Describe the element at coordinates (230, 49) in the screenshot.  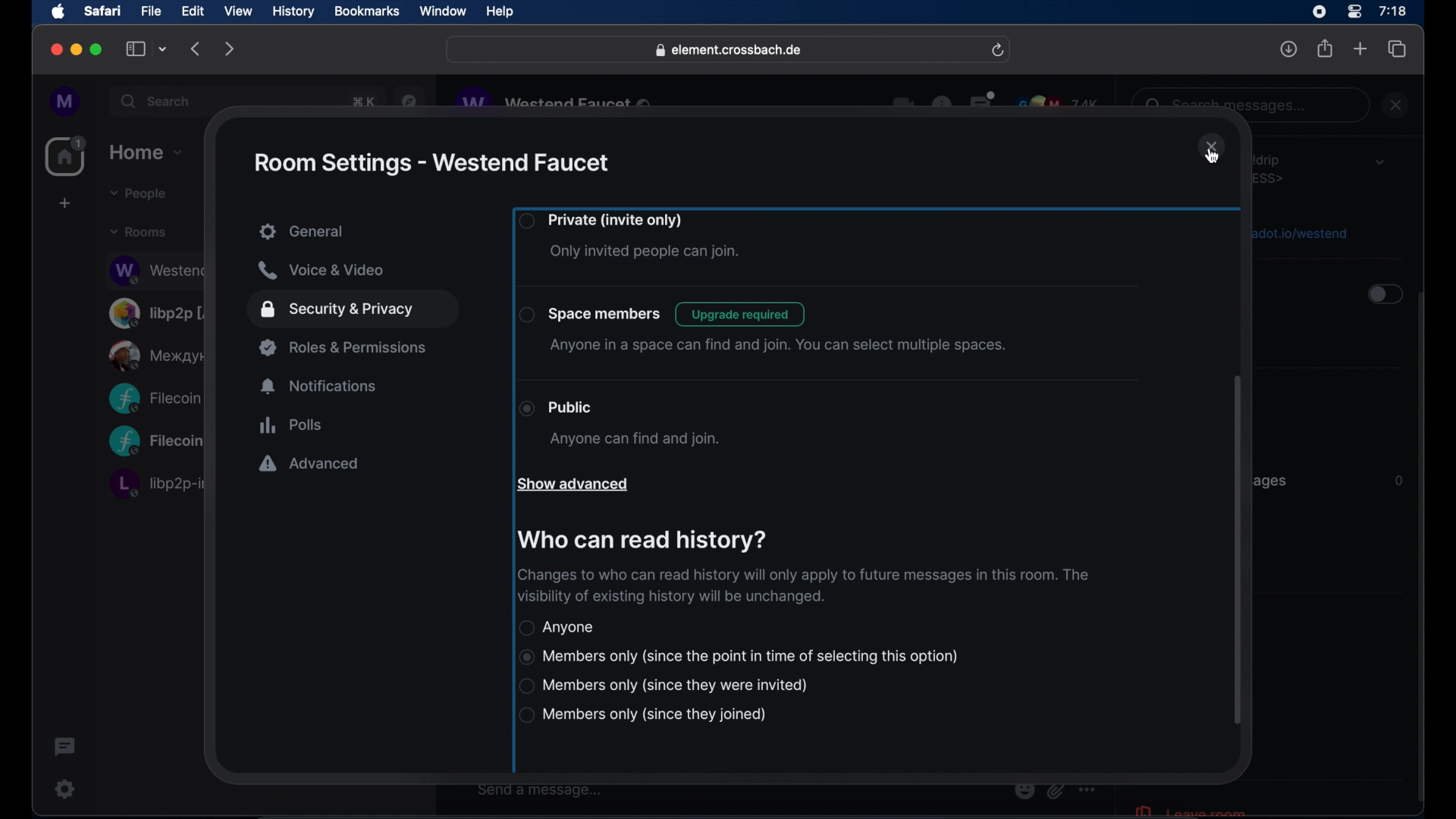
I see `forward` at that location.